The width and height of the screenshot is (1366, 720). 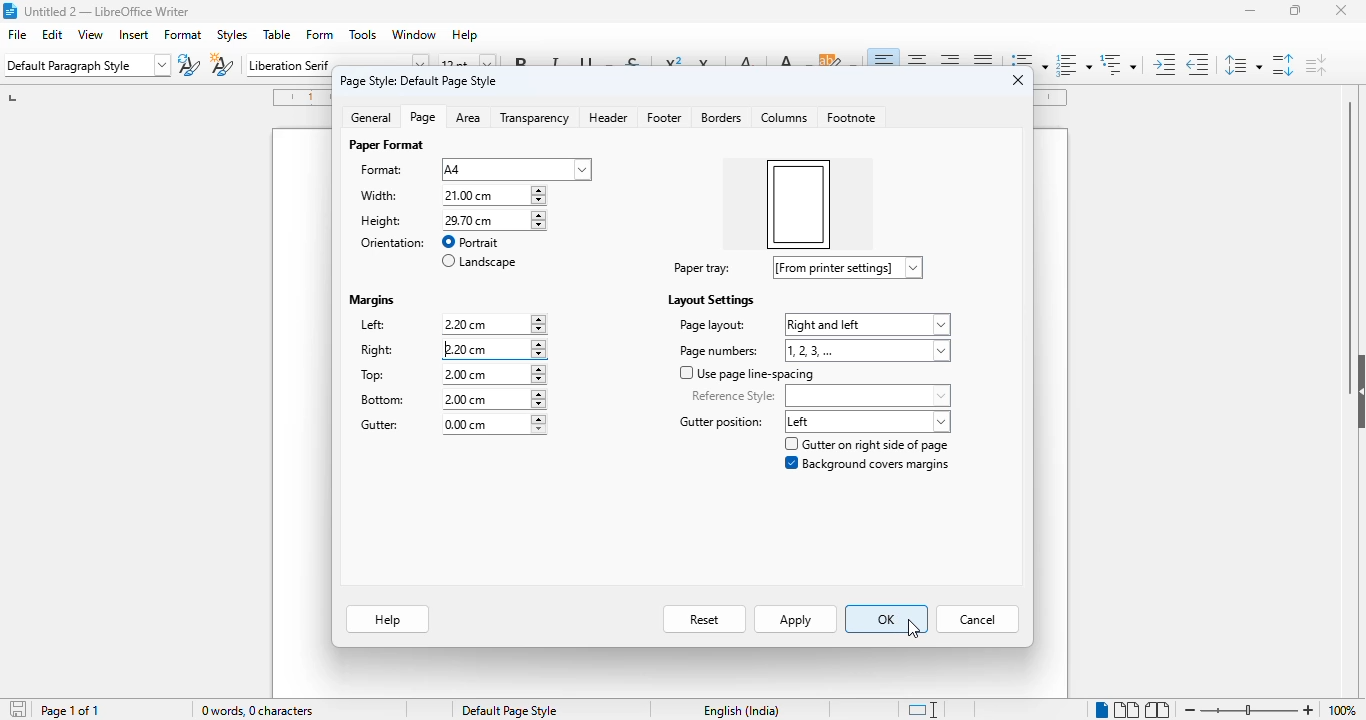 I want to click on close, so click(x=1340, y=10).